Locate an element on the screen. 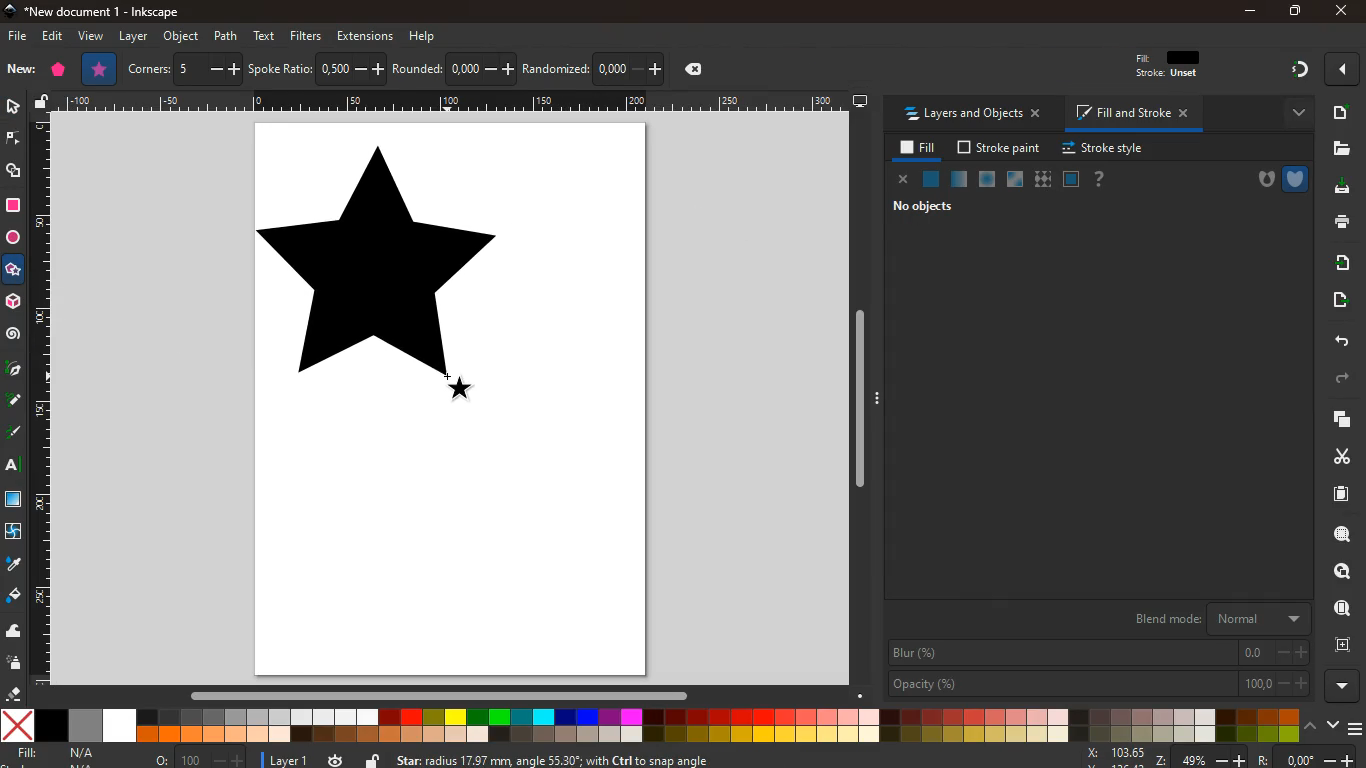  square is located at coordinates (13, 501).